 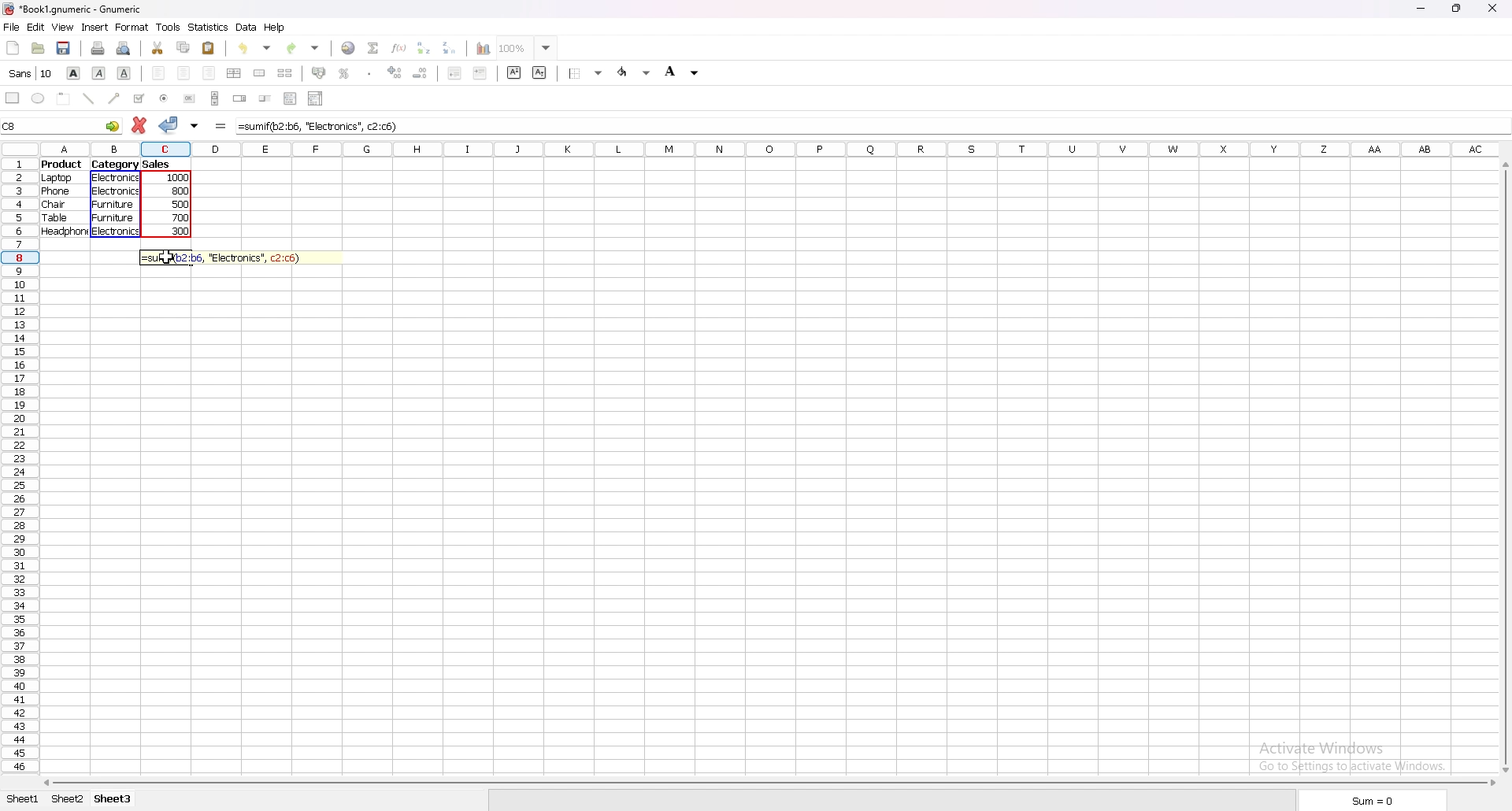 I want to click on furniture, so click(x=113, y=220).